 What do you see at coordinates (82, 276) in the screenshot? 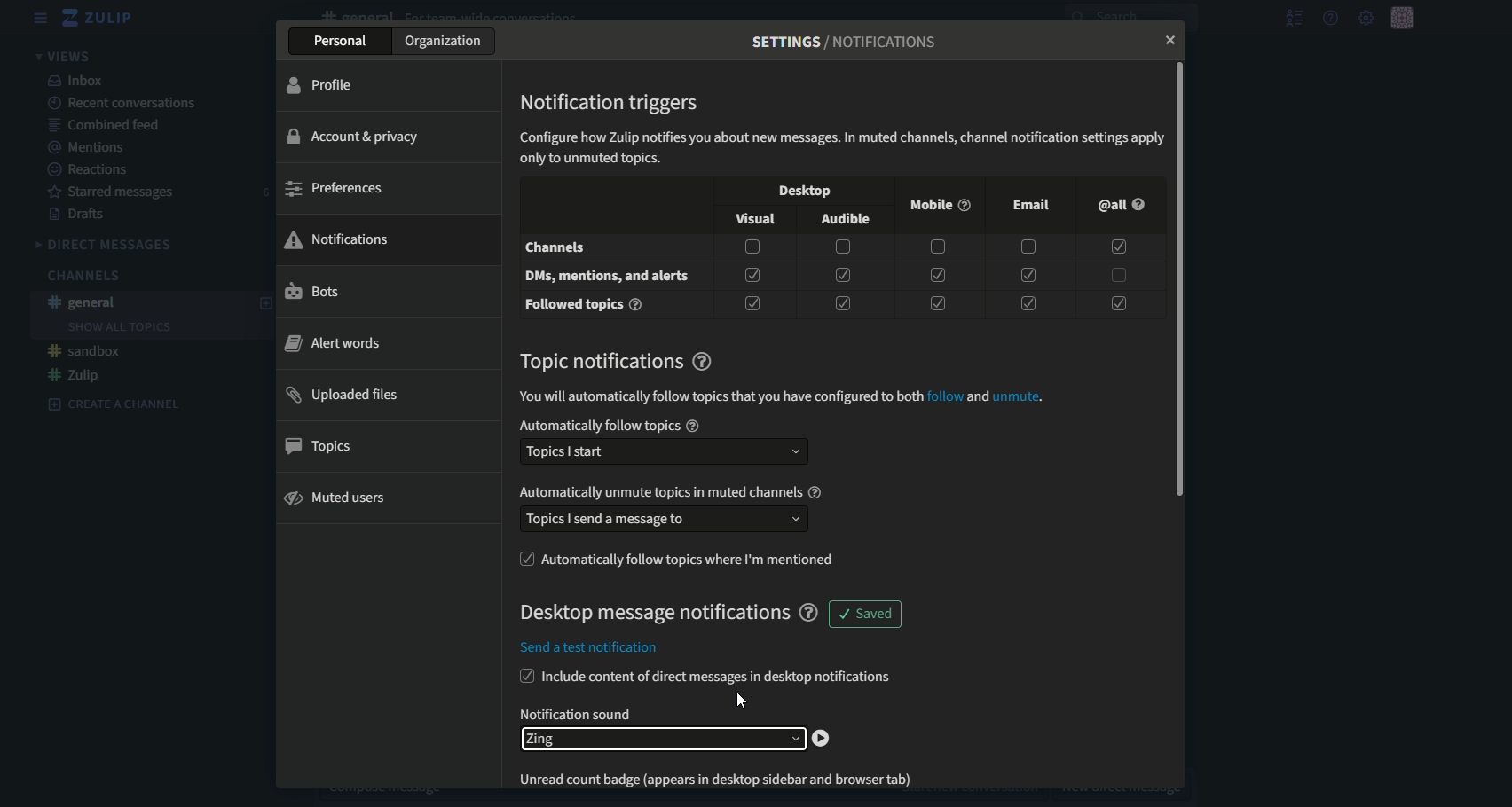
I see `Channels` at bounding box center [82, 276].